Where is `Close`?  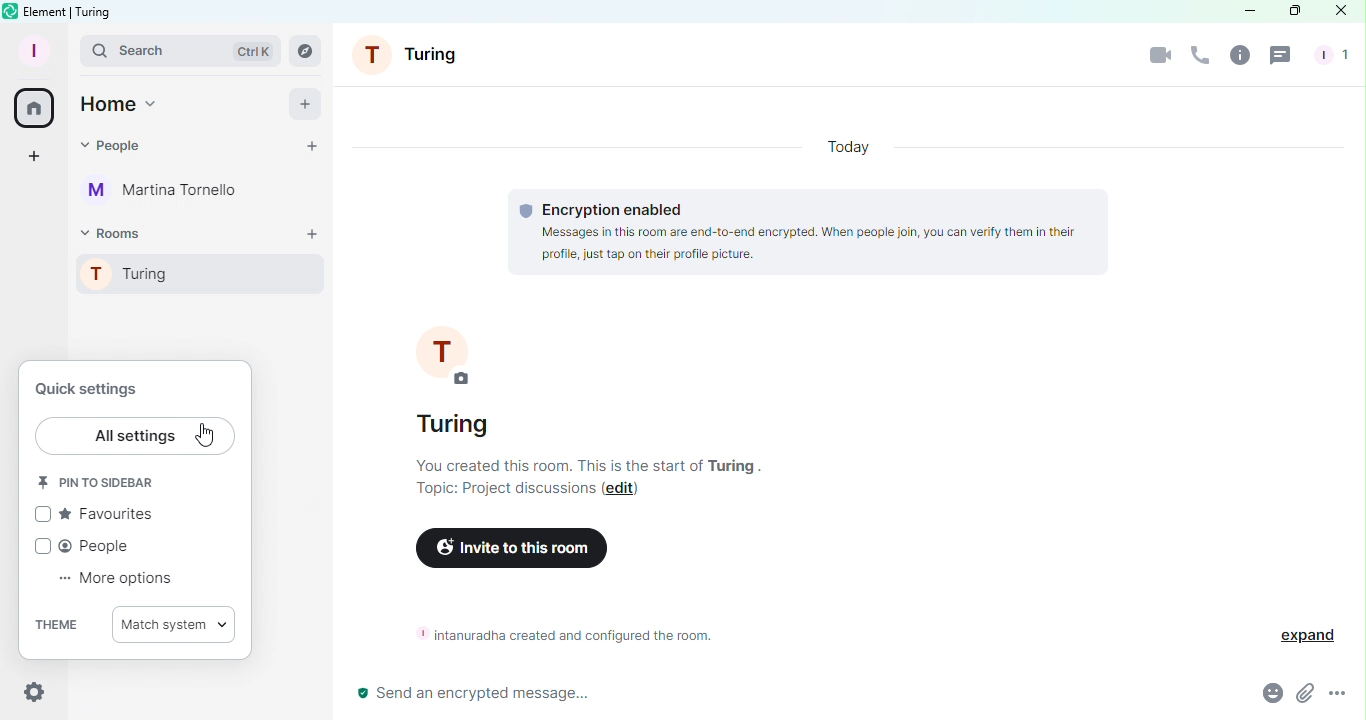 Close is located at coordinates (1340, 11).